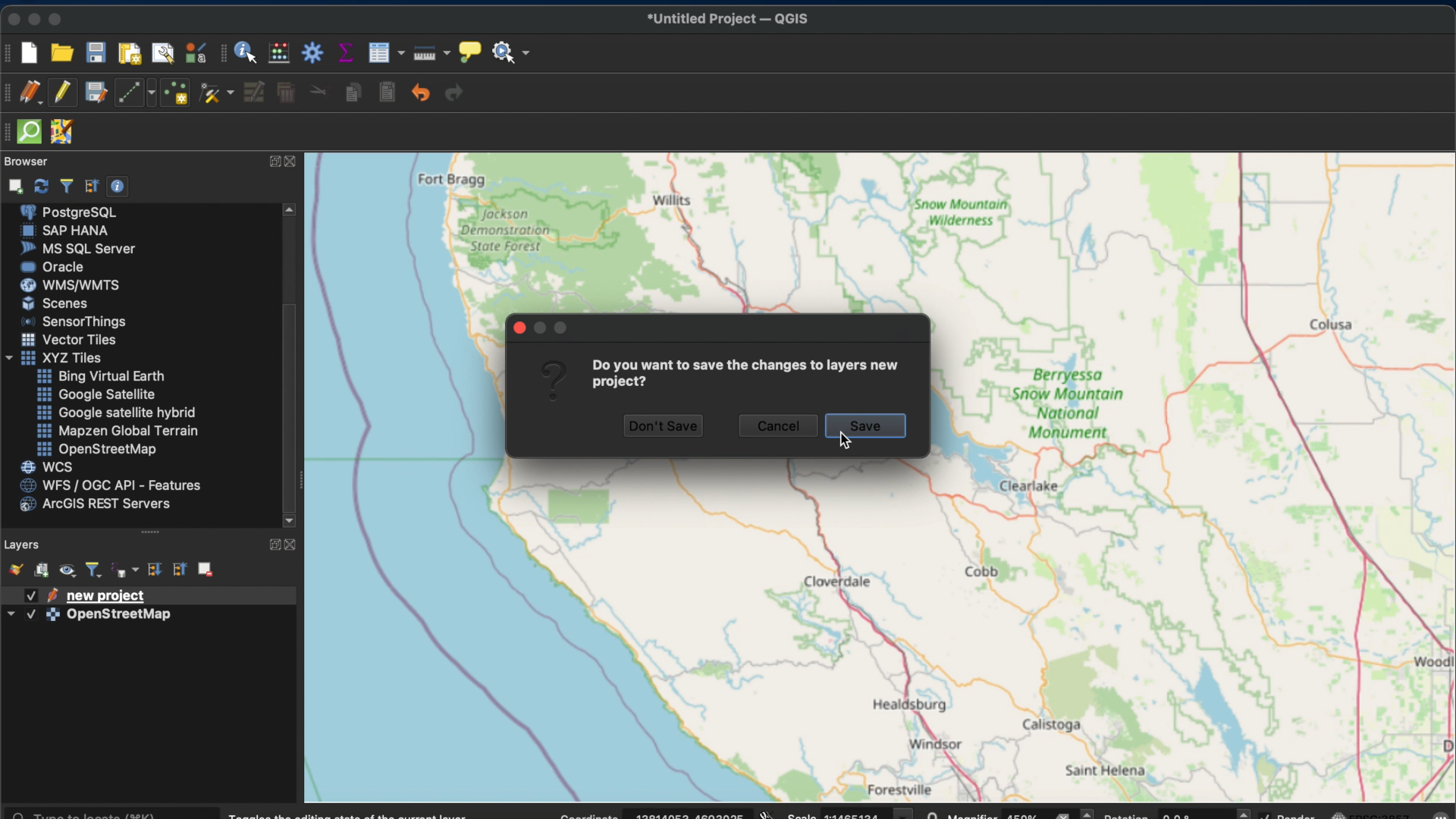  Describe the element at coordinates (96, 54) in the screenshot. I see `save project` at that location.